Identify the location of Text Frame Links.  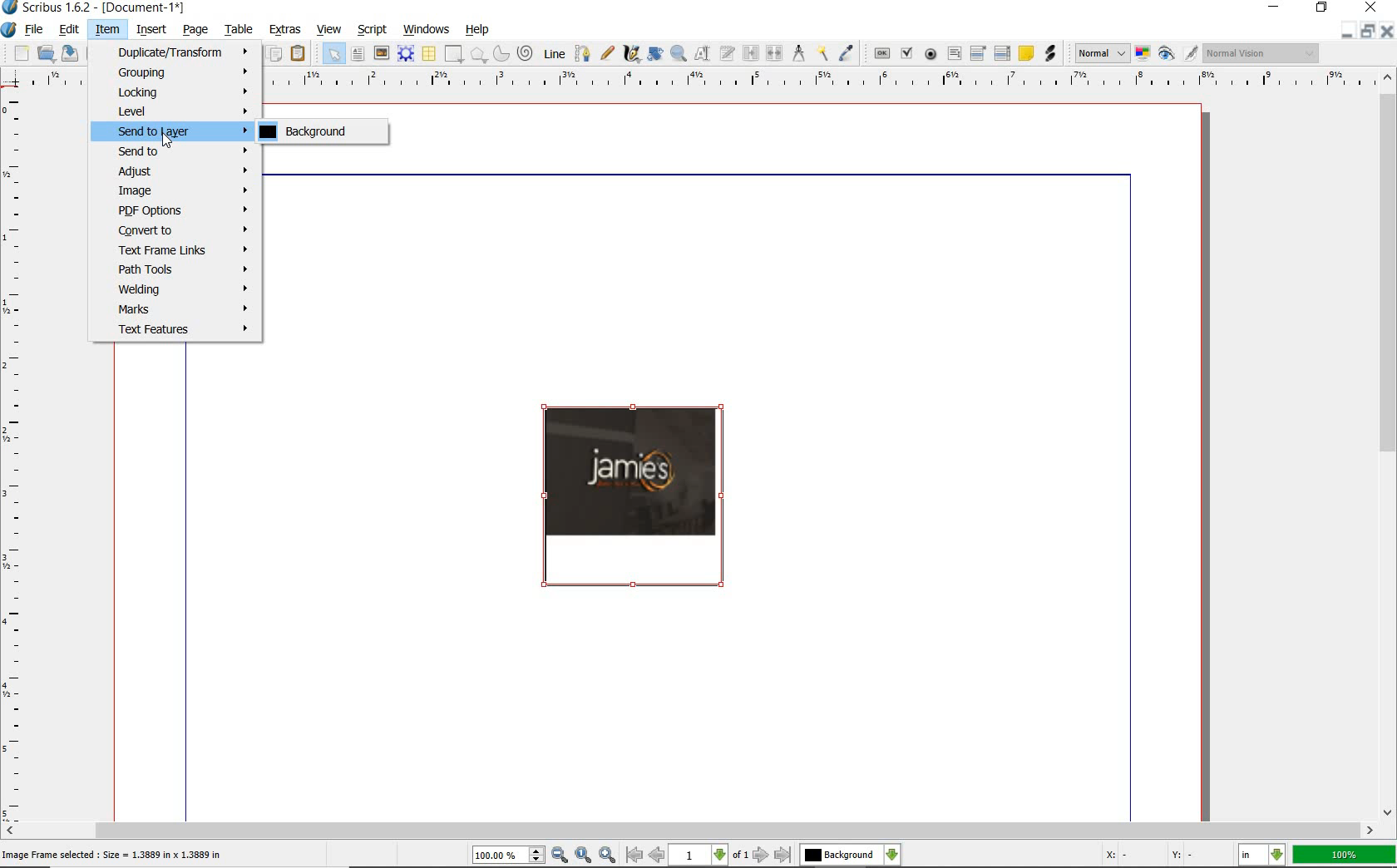
(177, 250).